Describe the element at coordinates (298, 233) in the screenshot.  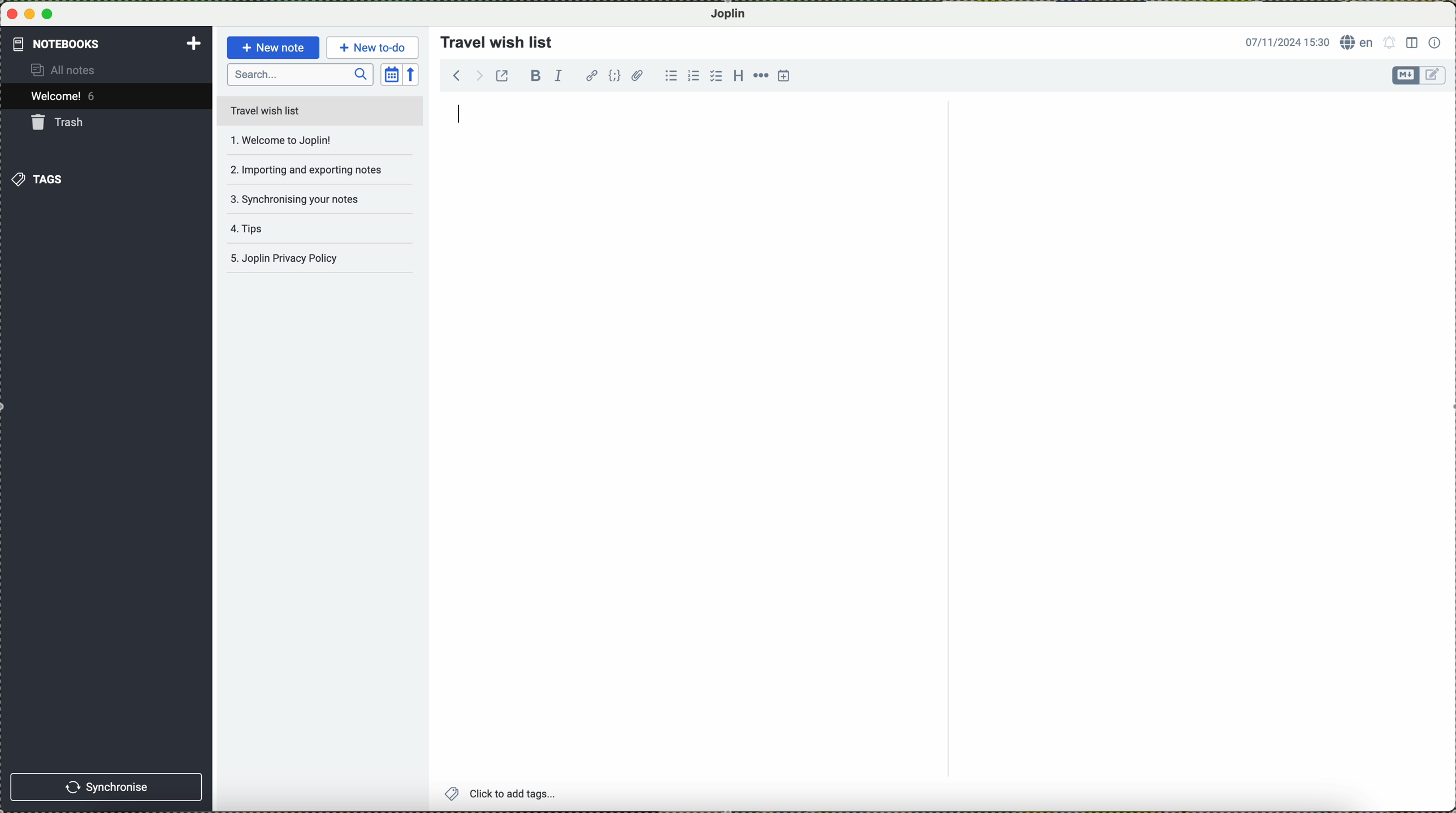
I see `tips` at that location.